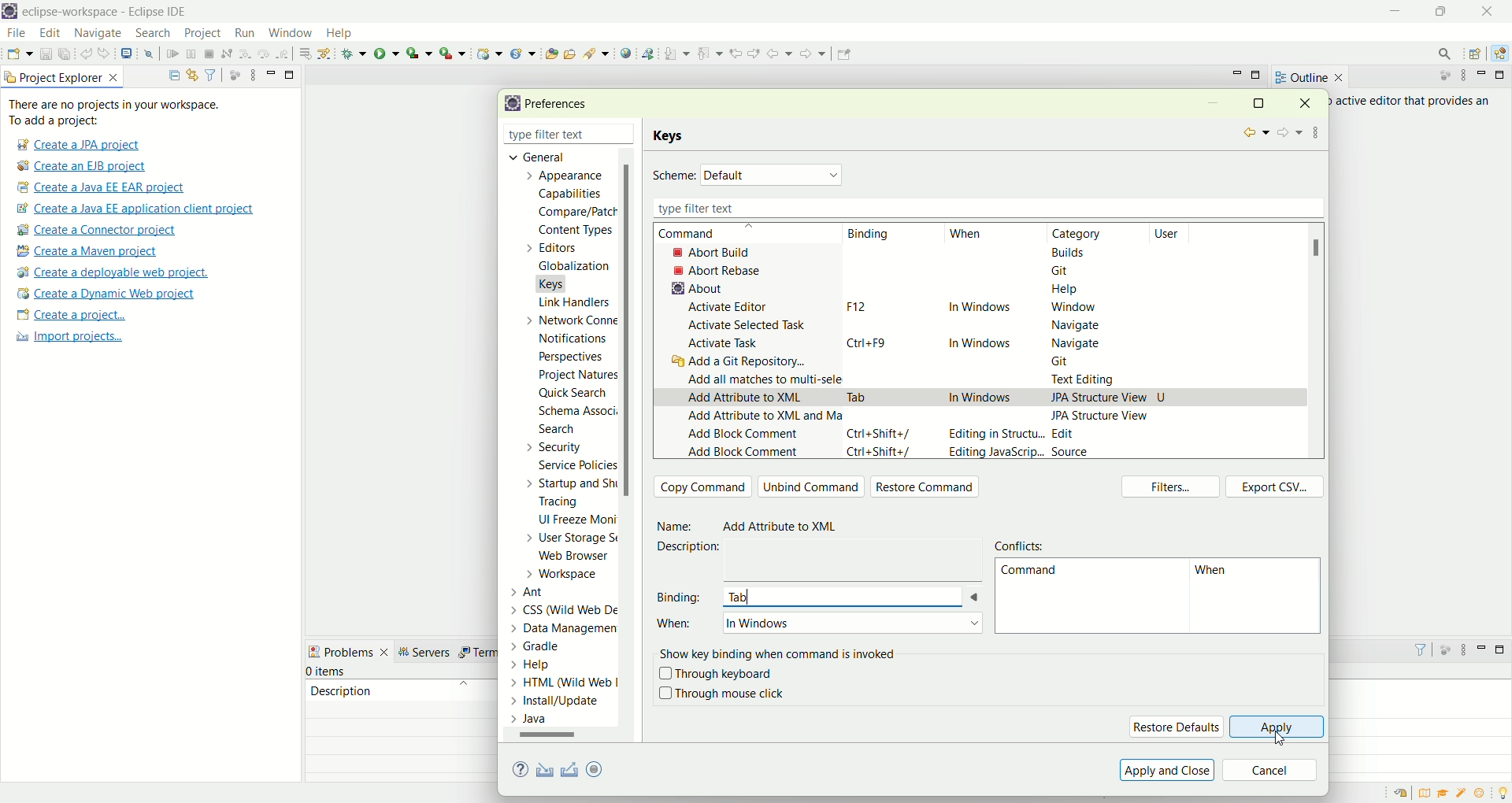  Describe the element at coordinates (1258, 102) in the screenshot. I see `maximize` at that location.